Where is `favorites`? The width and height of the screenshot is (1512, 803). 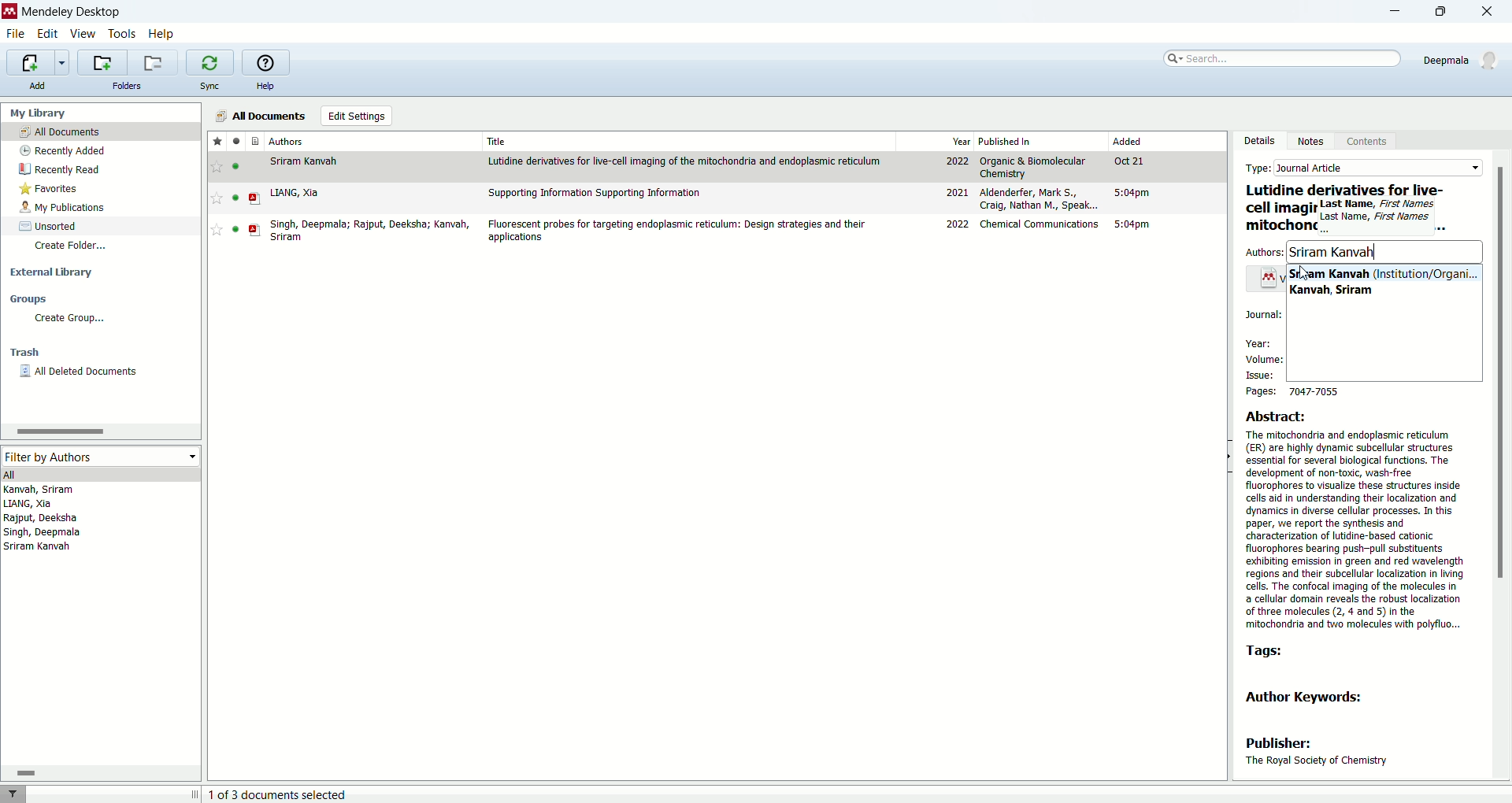 favorites is located at coordinates (50, 191).